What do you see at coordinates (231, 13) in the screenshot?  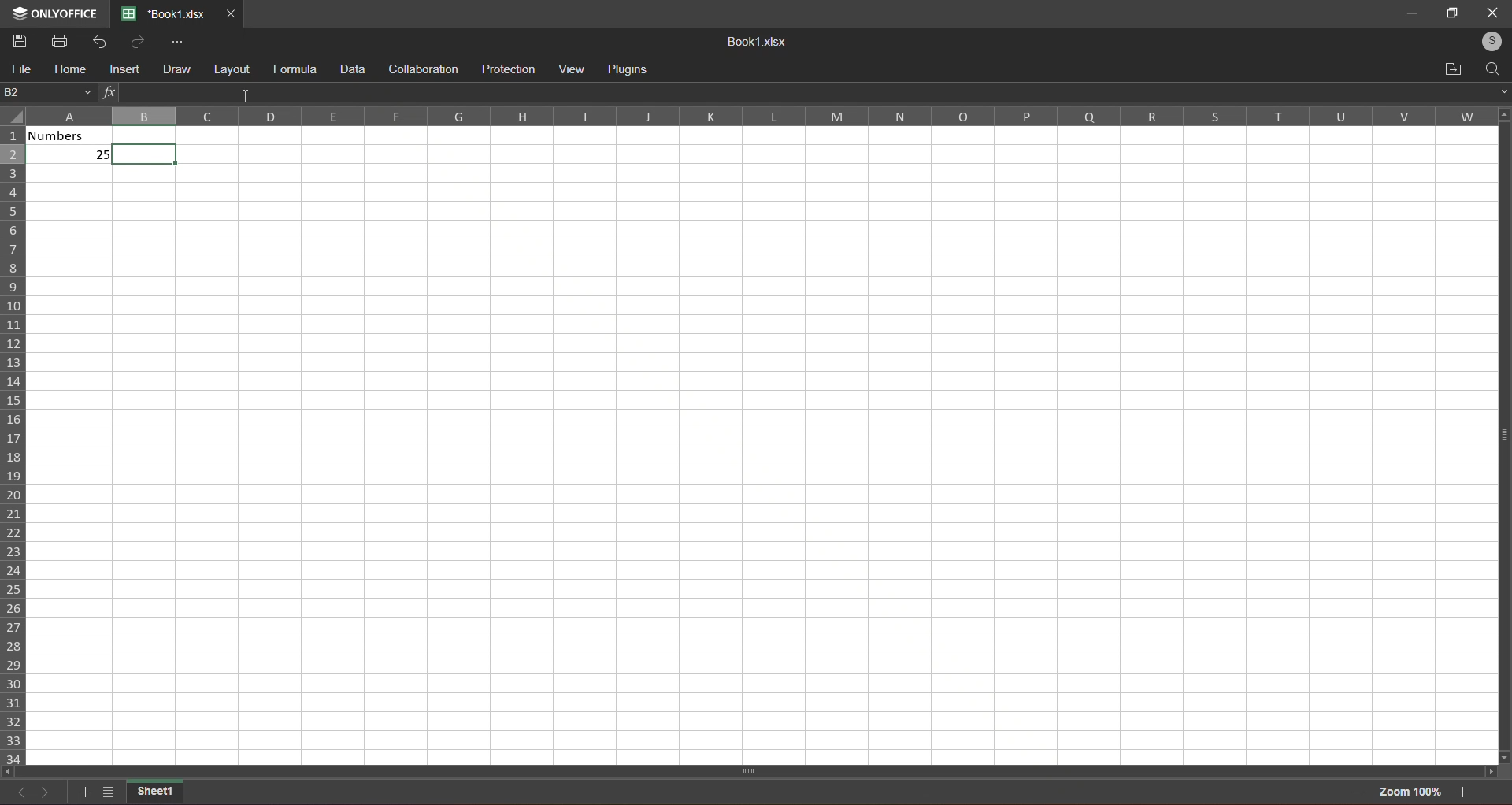 I see `close tab` at bounding box center [231, 13].